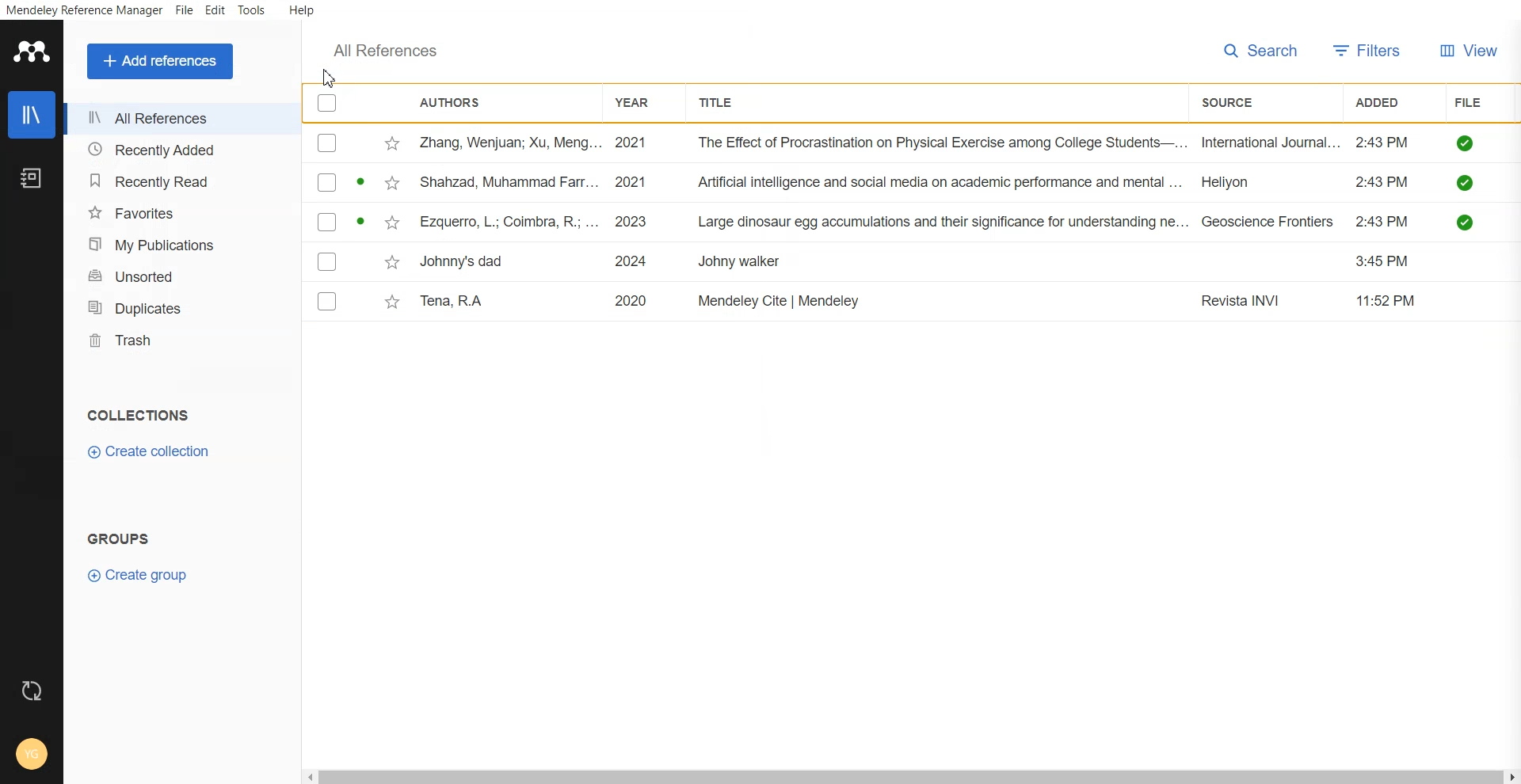 Image resolution: width=1521 pixels, height=784 pixels. What do you see at coordinates (32, 691) in the screenshot?
I see `Auto sync` at bounding box center [32, 691].